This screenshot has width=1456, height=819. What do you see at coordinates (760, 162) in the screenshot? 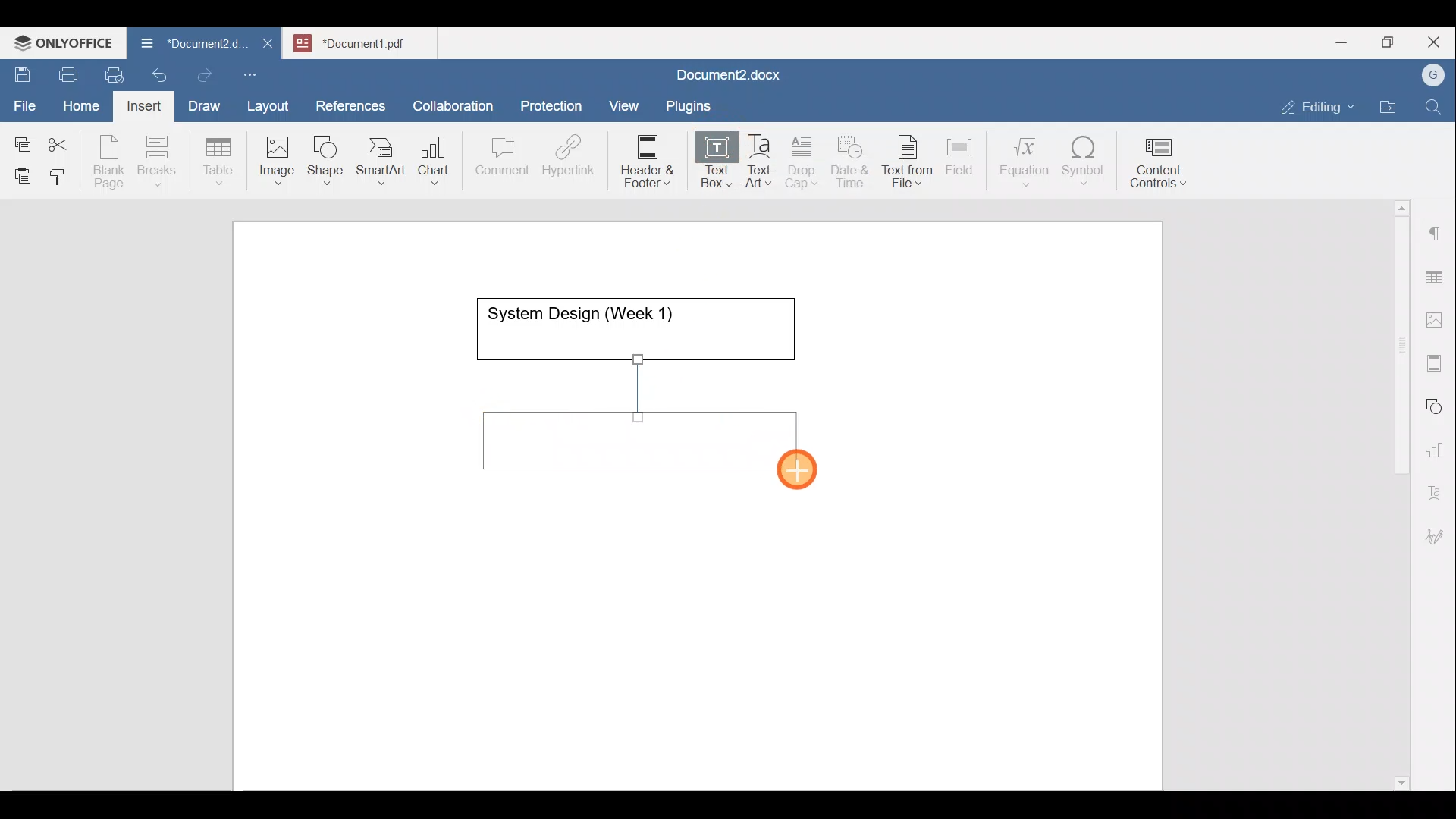
I see `Text Art` at bounding box center [760, 162].